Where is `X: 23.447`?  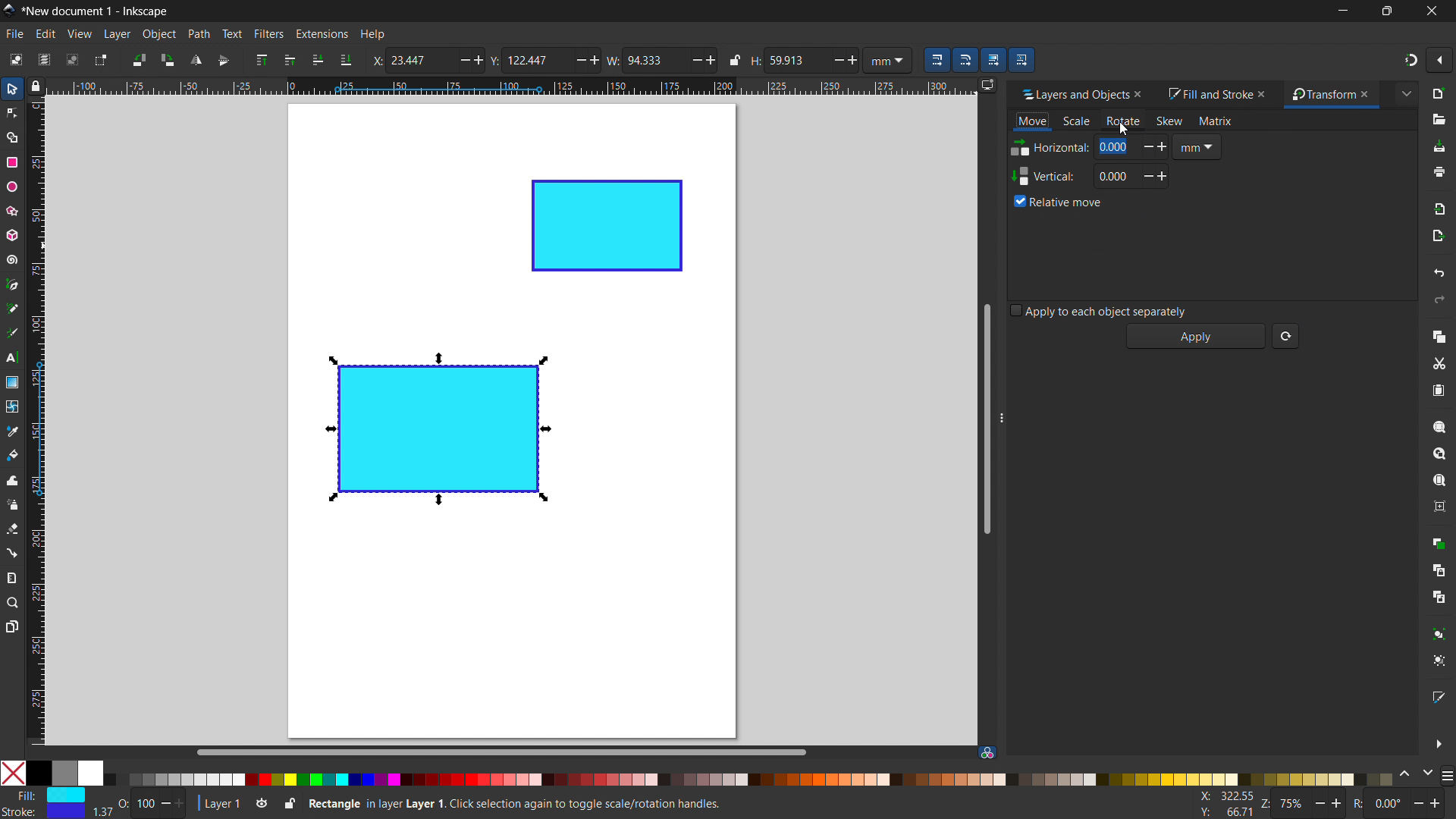 X: 23.447 is located at coordinates (409, 60).